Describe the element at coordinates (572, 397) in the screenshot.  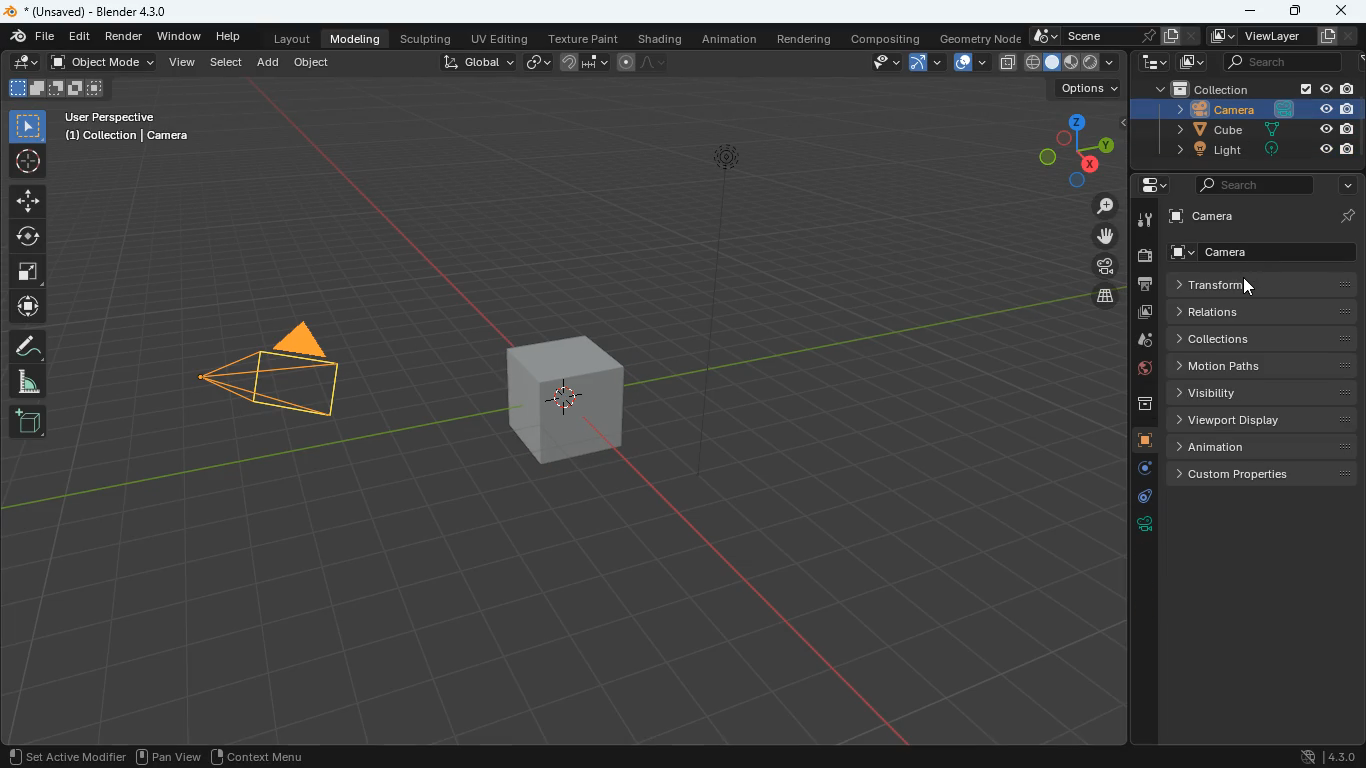
I see `cube` at that location.